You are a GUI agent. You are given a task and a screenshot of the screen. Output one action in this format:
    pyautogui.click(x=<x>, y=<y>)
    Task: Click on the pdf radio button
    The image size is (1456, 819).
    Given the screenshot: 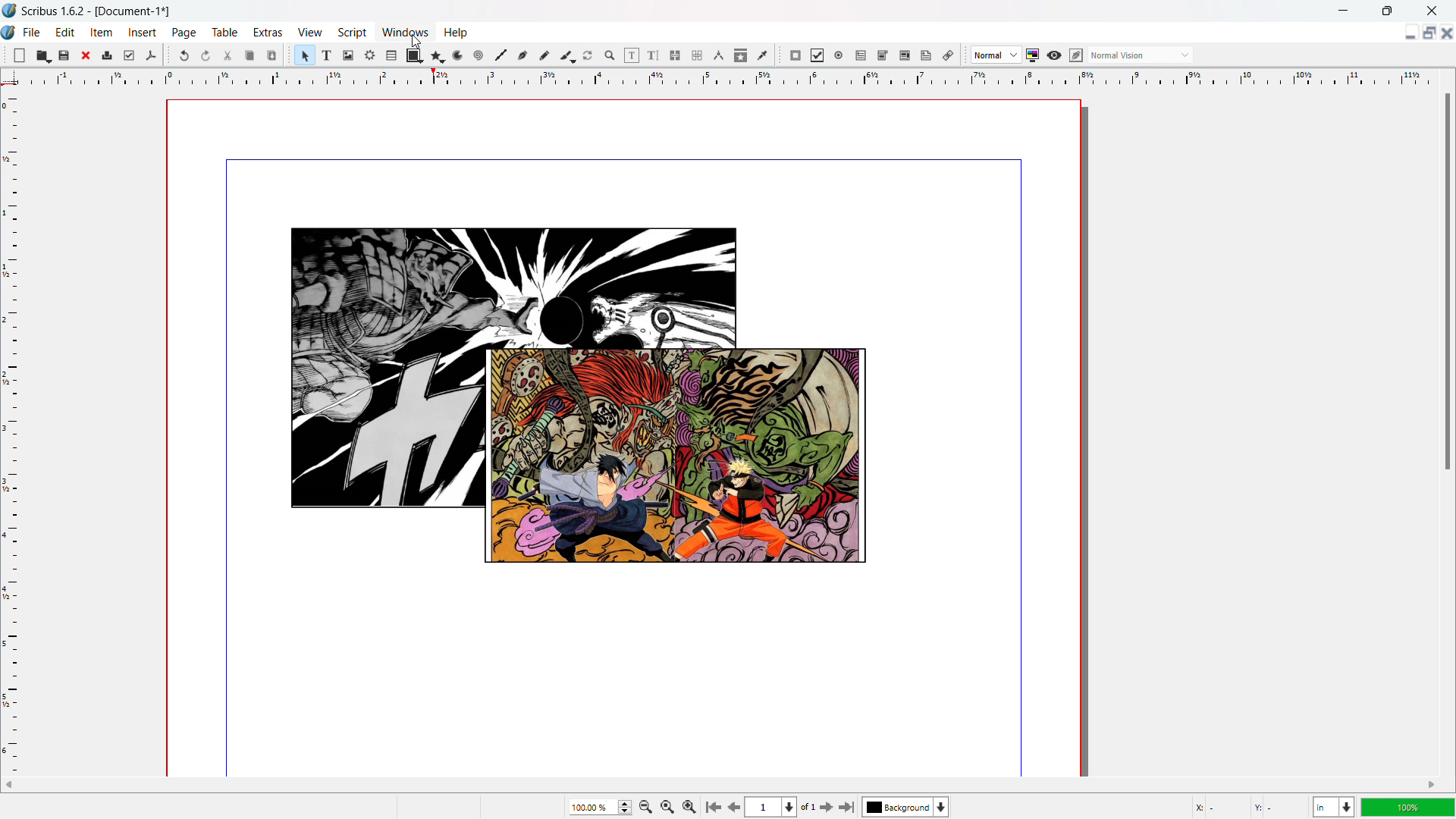 What is the action you would take?
    pyautogui.click(x=839, y=55)
    